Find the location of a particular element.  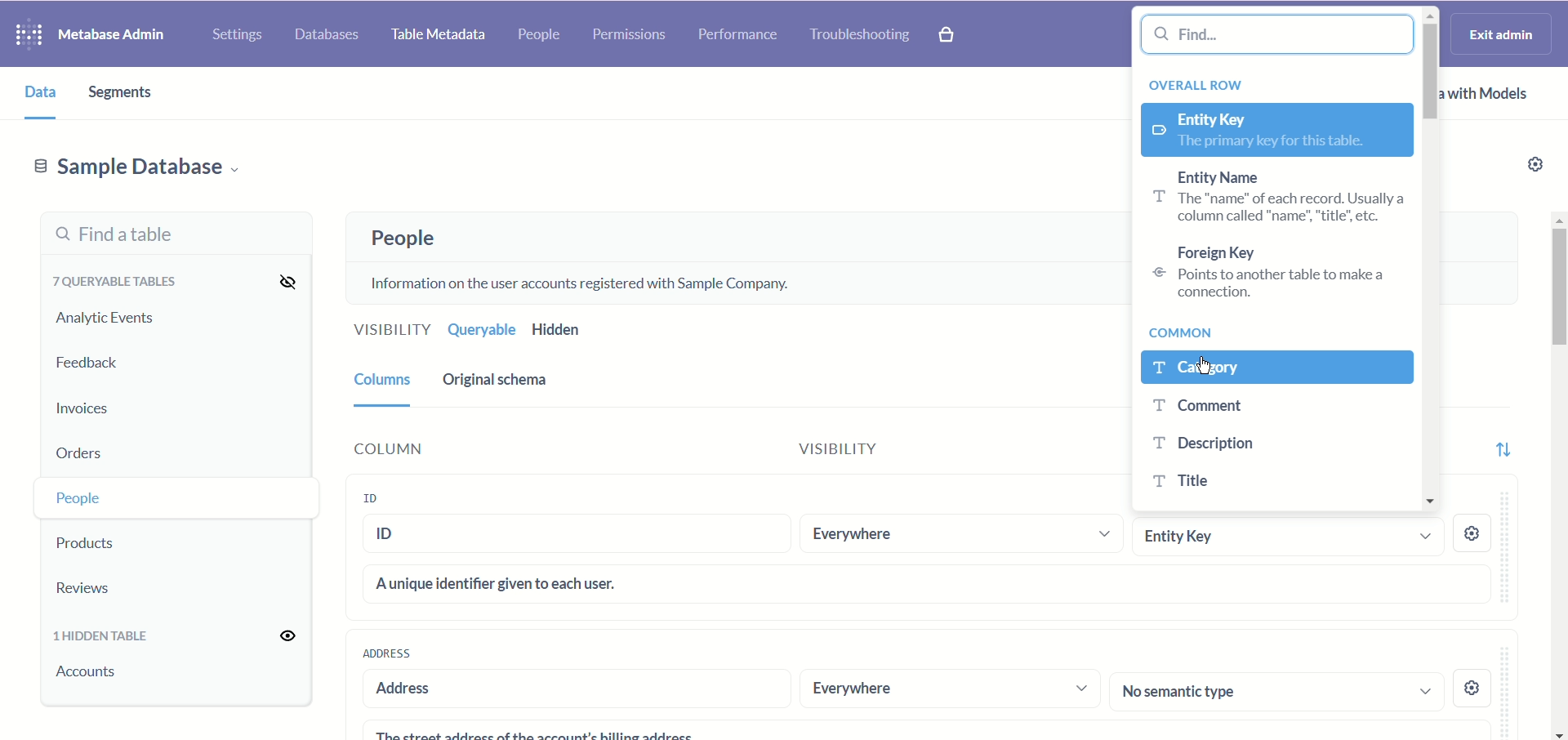

People is located at coordinates (398, 238).